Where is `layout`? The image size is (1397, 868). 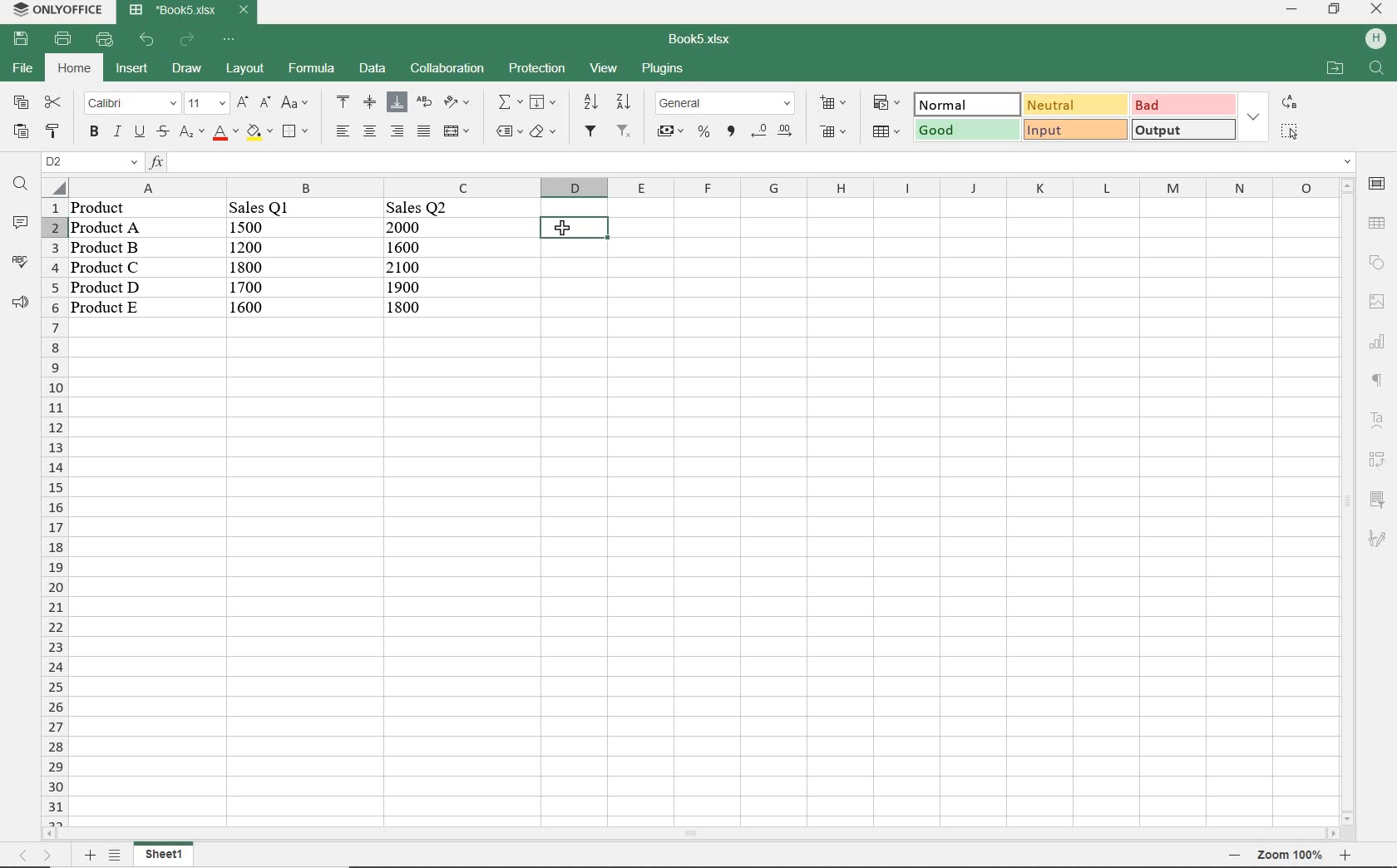
layout is located at coordinates (247, 69).